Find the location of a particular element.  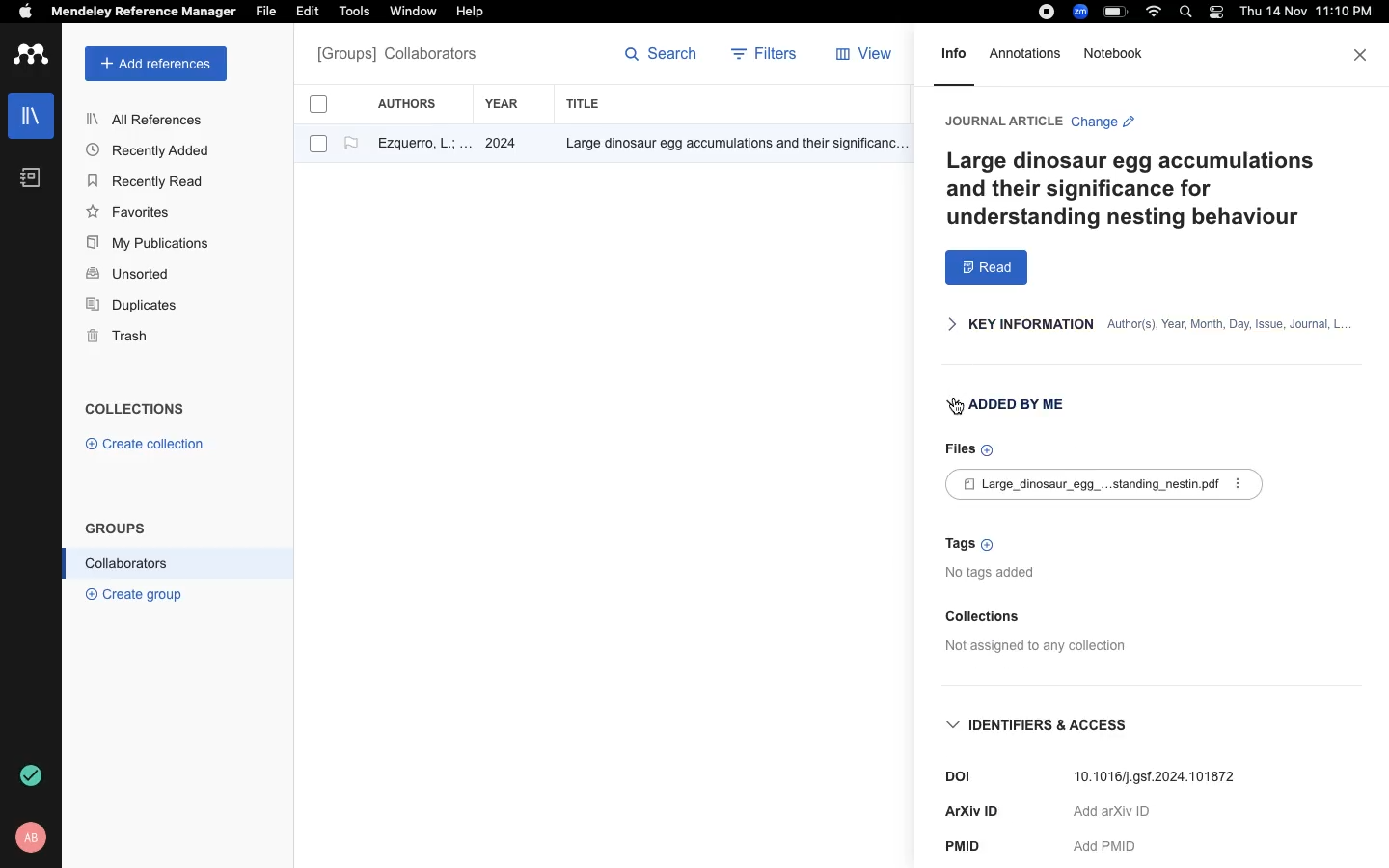

Large dinosaur egg accumulations
and their significance for
understanding nesting behaviour is located at coordinates (1137, 189).